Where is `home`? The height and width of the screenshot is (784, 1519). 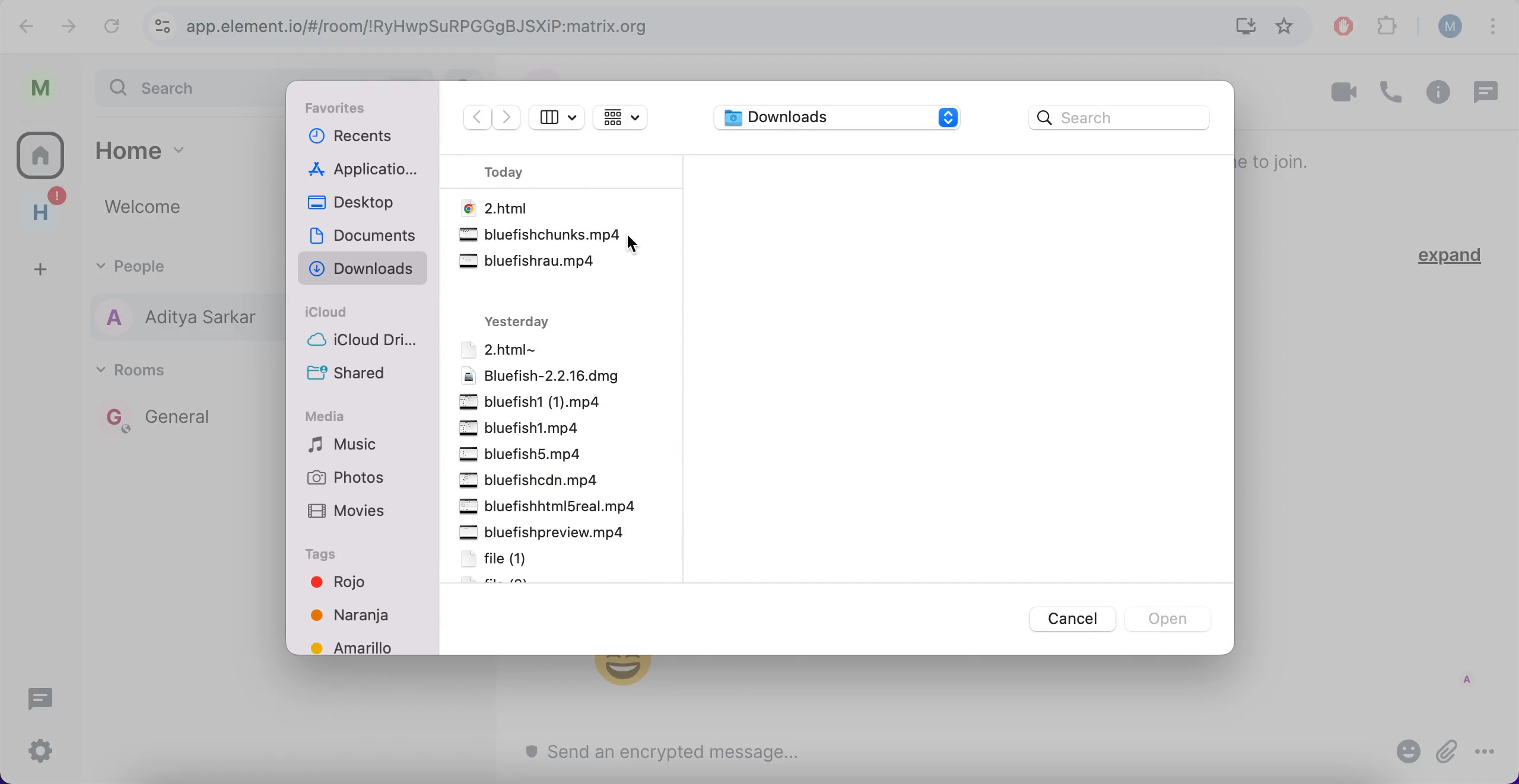
home is located at coordinates (42, 154).